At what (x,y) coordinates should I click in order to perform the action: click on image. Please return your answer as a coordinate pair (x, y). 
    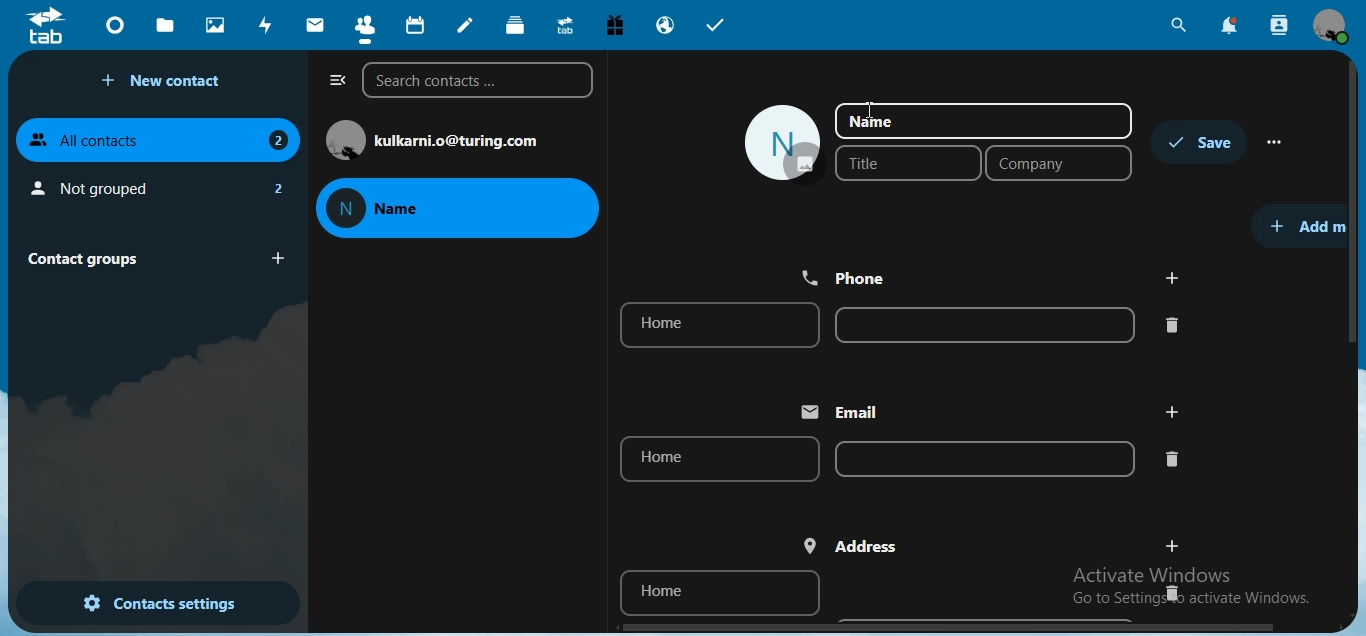
    Looking at the image, I should click on (782, 144).